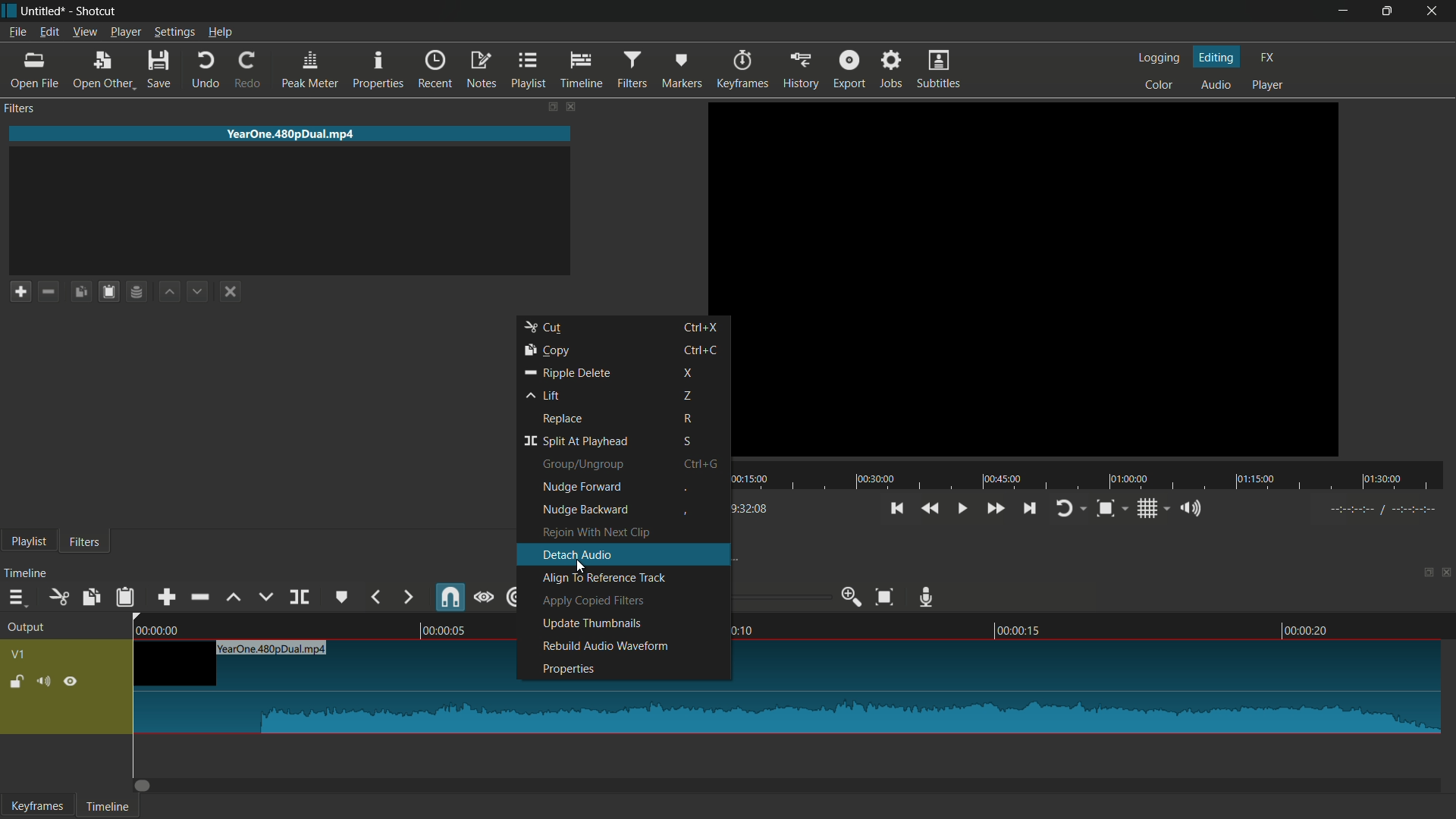 The height and width of the screenshot is (819, 1456). I want to click on split at playhead, so click(301, 598).